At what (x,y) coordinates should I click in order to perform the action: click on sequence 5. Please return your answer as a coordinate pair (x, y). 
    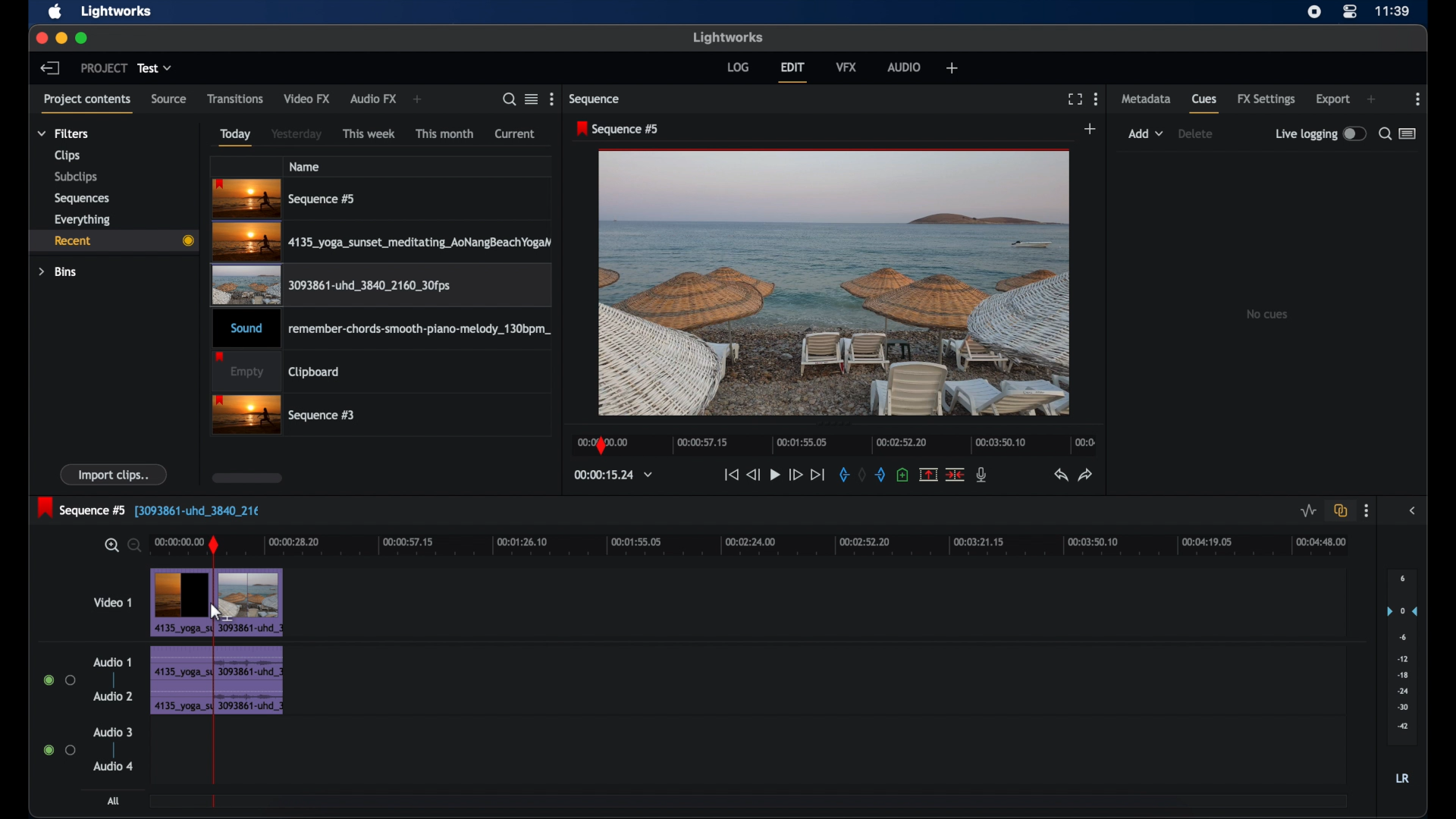
    Looking at the image, I should click on (287, 199).